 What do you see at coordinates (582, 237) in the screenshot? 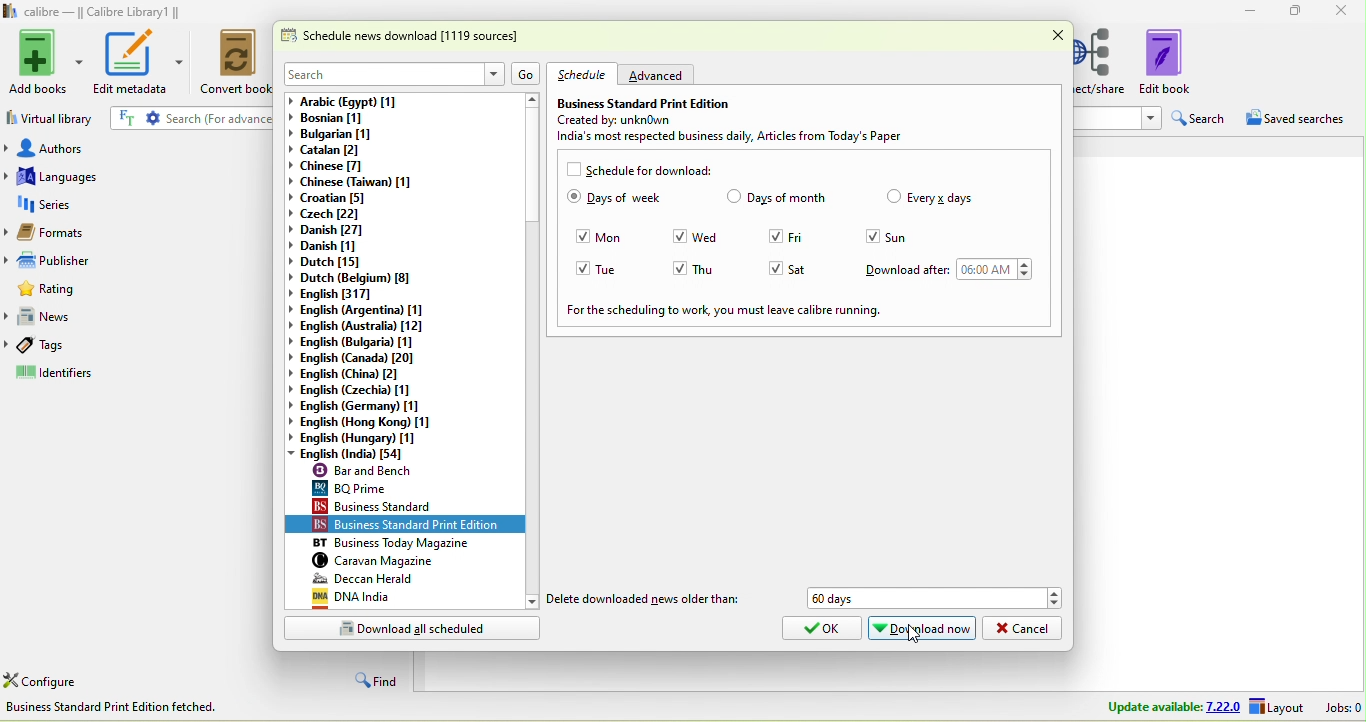
I see `Checkbox` at bounding box center [582, 237].